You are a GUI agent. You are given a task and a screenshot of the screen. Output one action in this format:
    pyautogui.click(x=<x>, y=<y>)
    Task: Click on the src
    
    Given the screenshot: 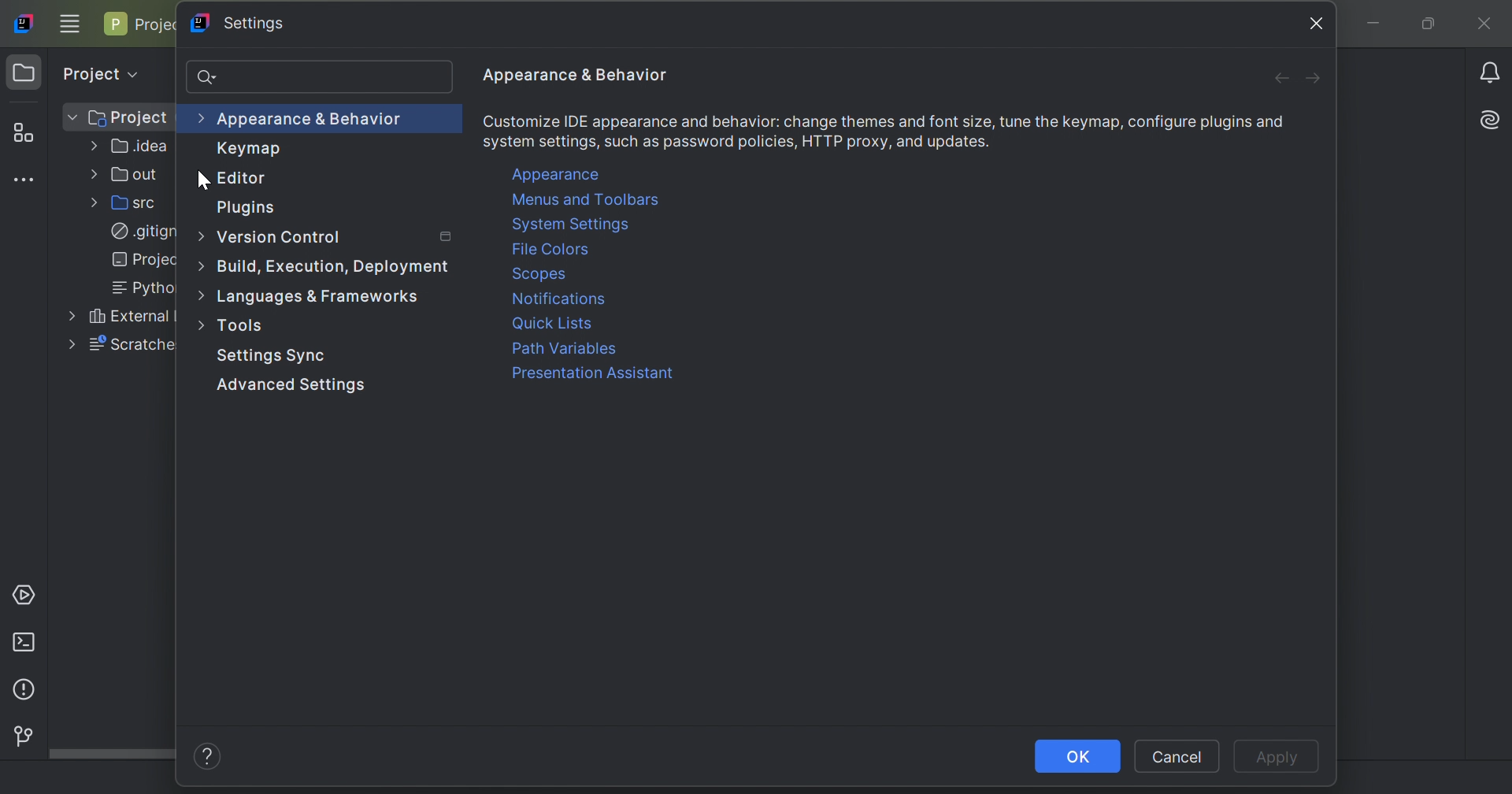 What is the action you would take?
    pyautogui.click(x=132, y=202)
    